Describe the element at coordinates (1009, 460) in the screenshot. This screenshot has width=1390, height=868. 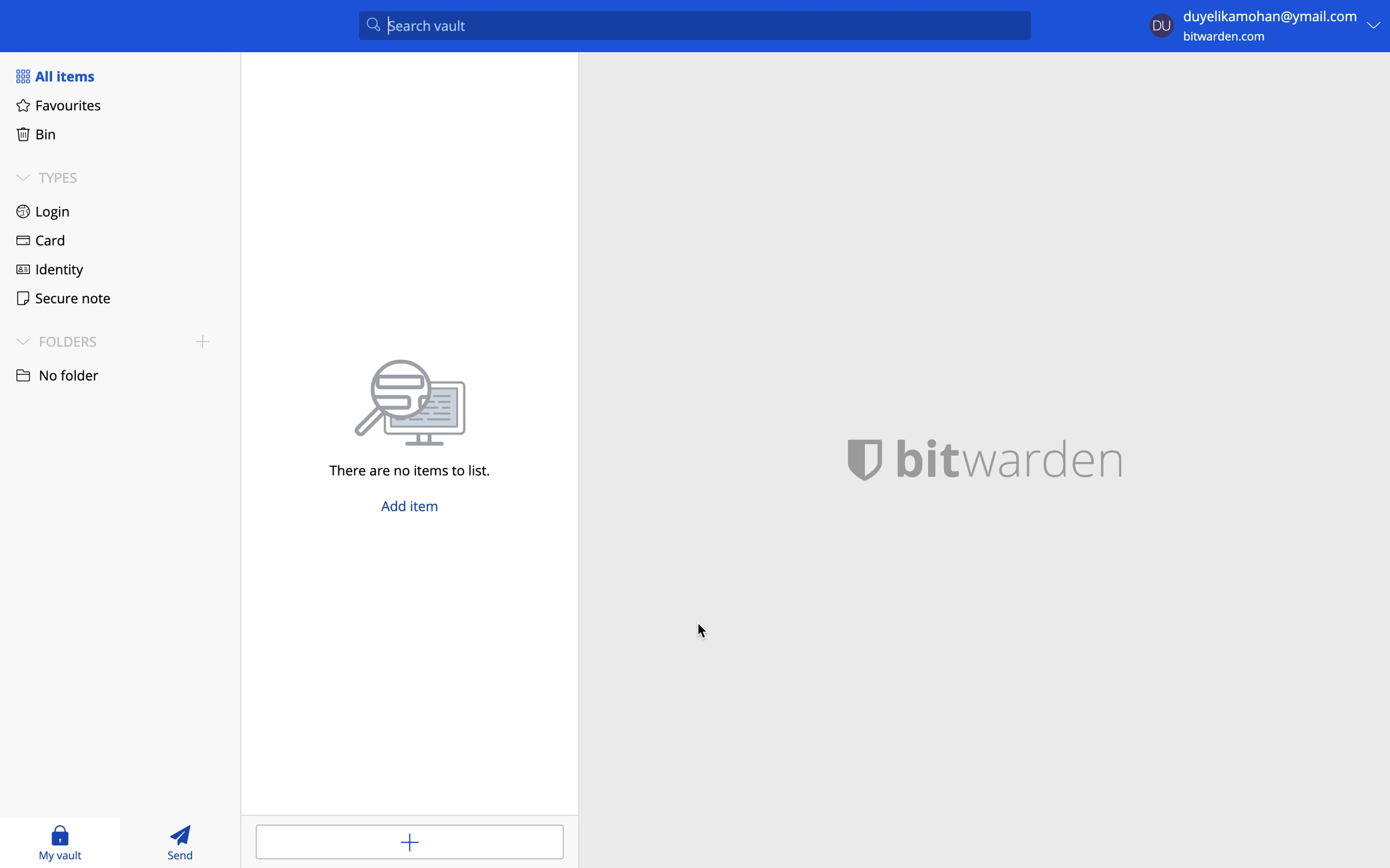
I see `bitwarden logo` at that location.